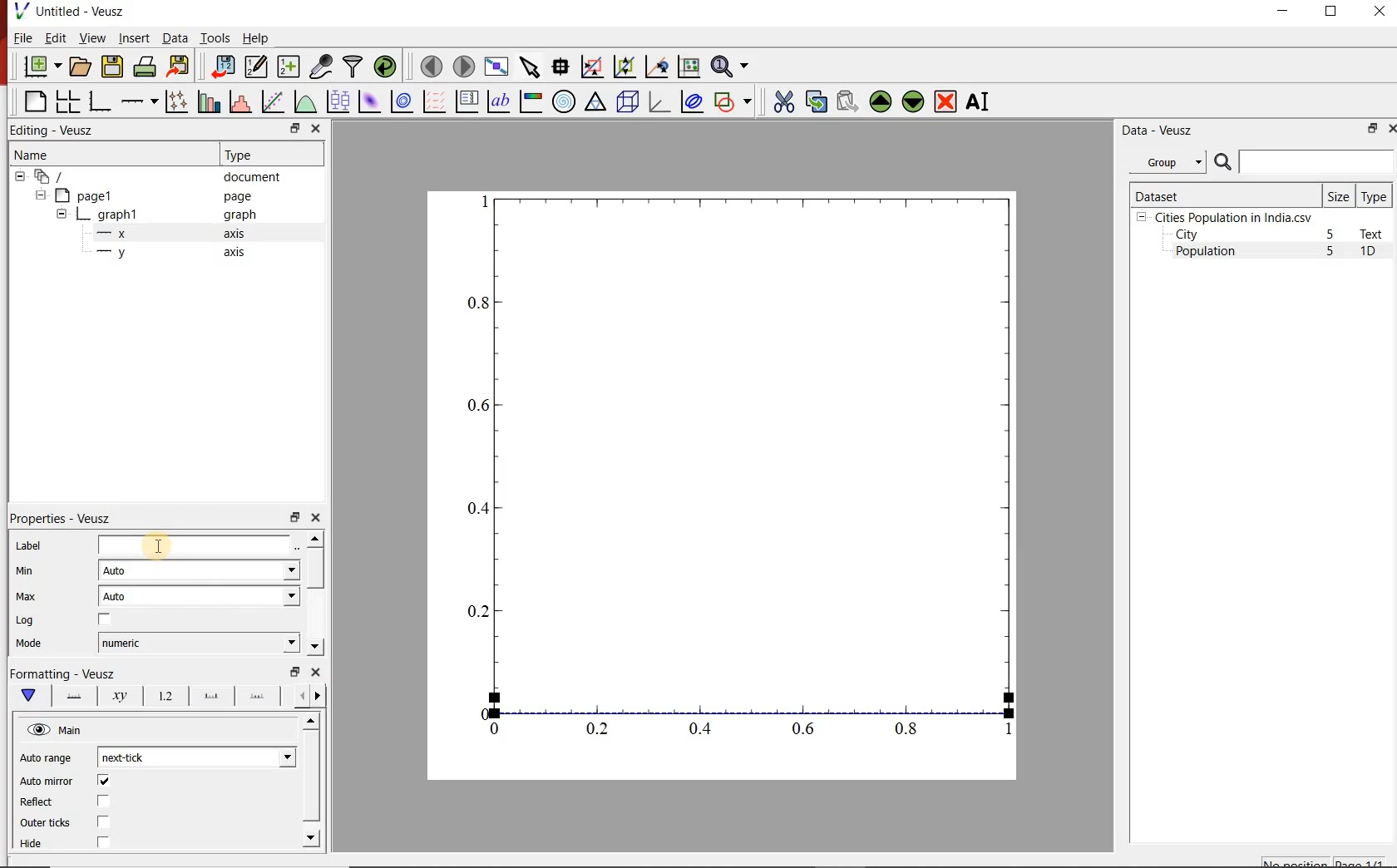 This screenshot has width=1397, height=868. I want to click on Reflect, so click(42, 801).